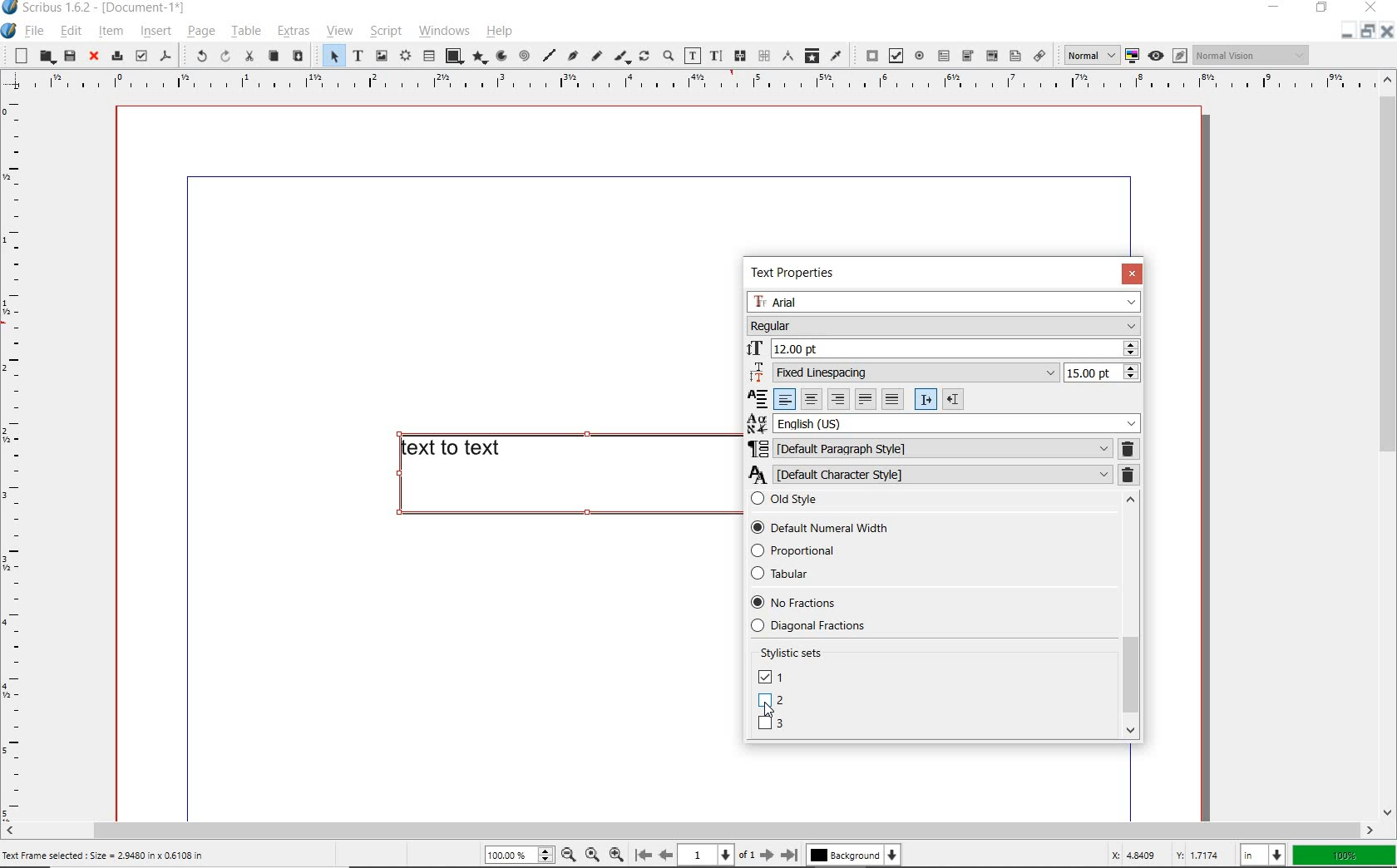  I want to click on item, so click(111, 31).